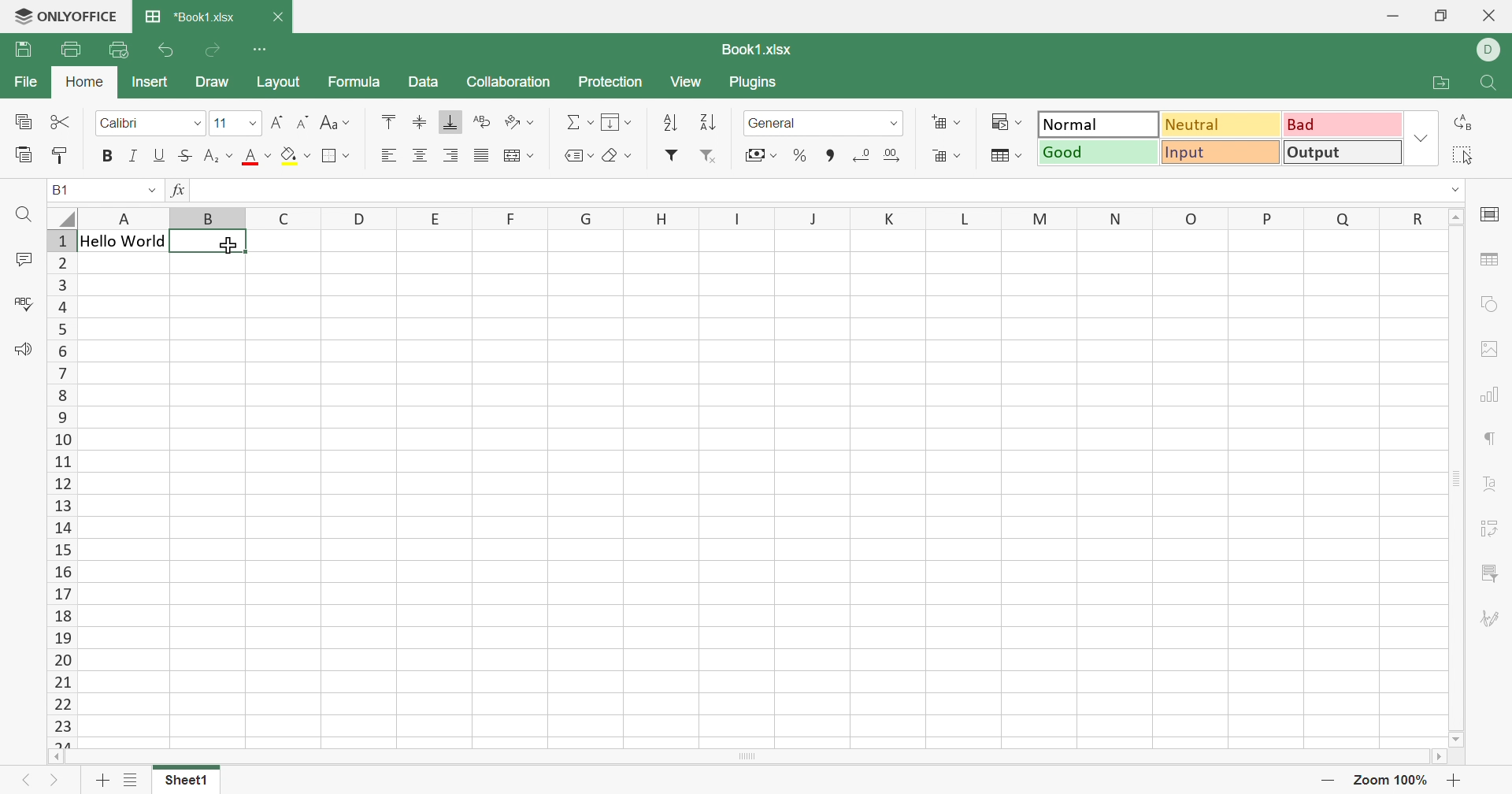 This screenshot has height=794, width=1512. Describe the element at coordinates (1440, 17) in the screenshot. I see `Restore down` at that location.